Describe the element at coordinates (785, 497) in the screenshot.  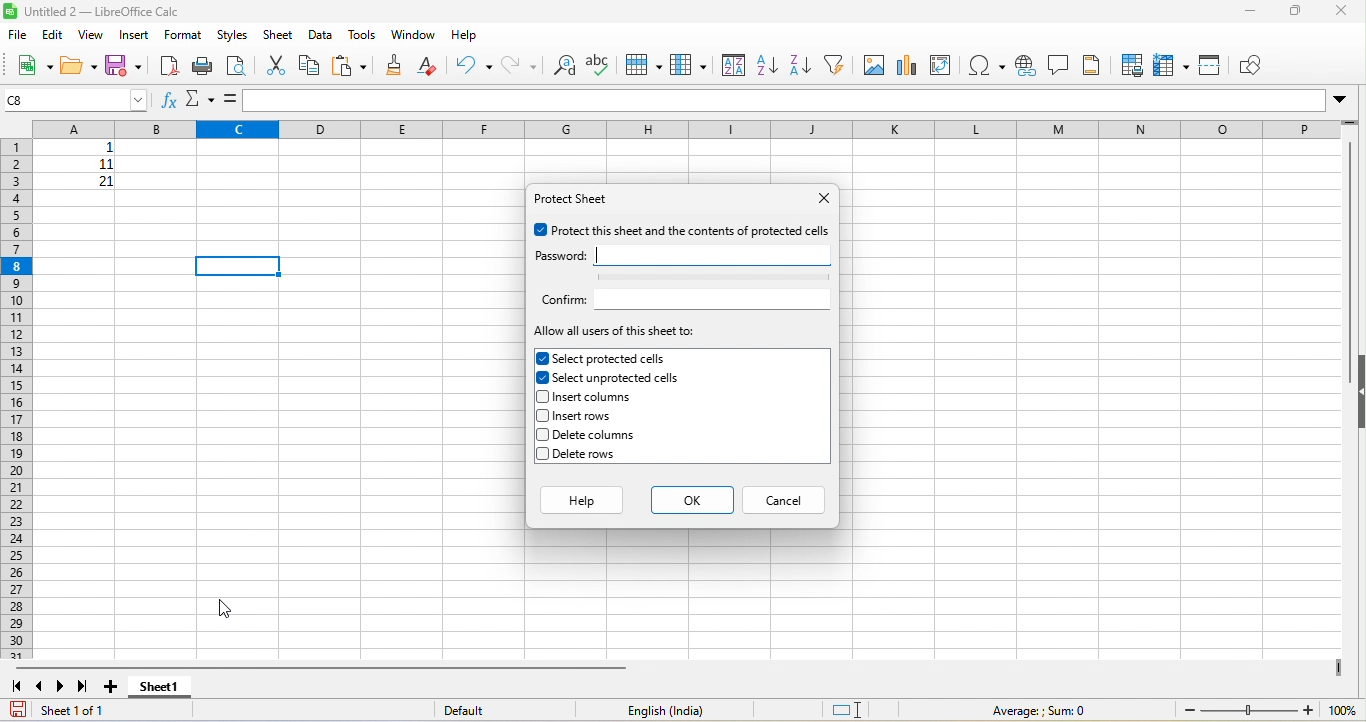
I see `cancel` at that location.